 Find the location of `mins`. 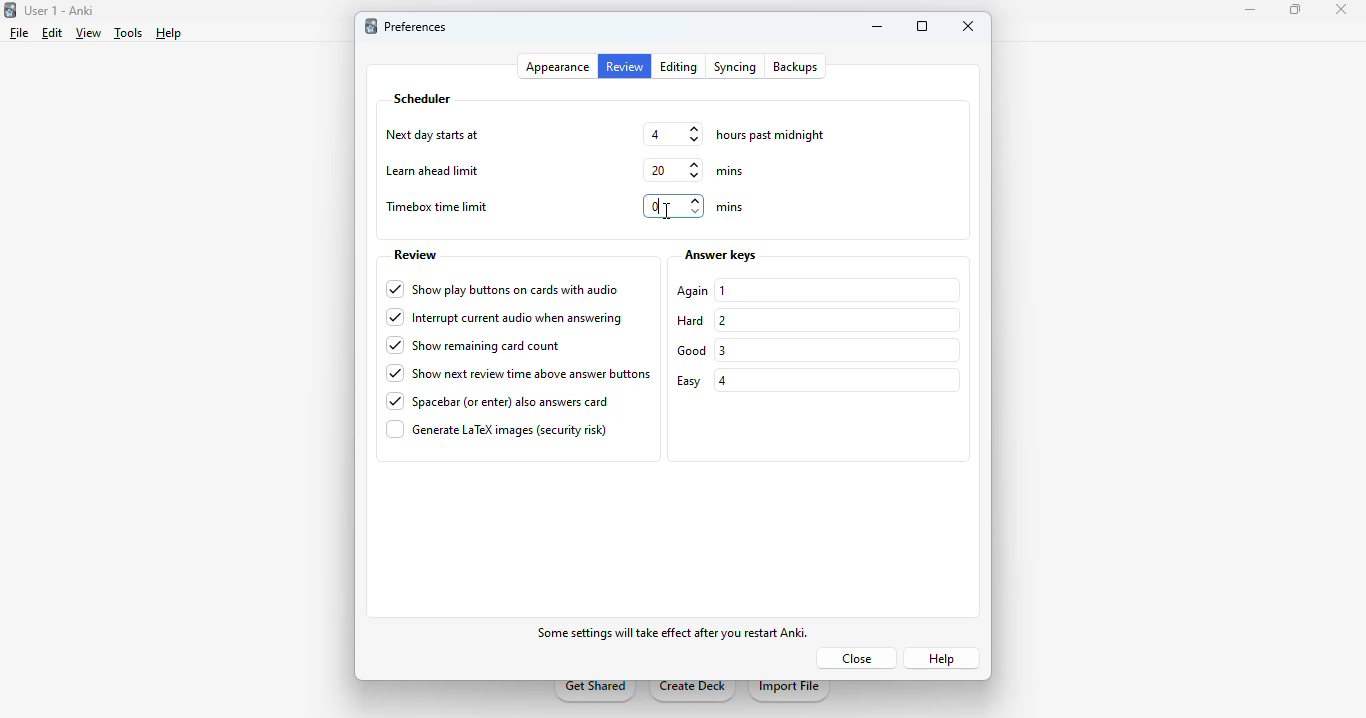

mins is located at coordinates (728, 207).